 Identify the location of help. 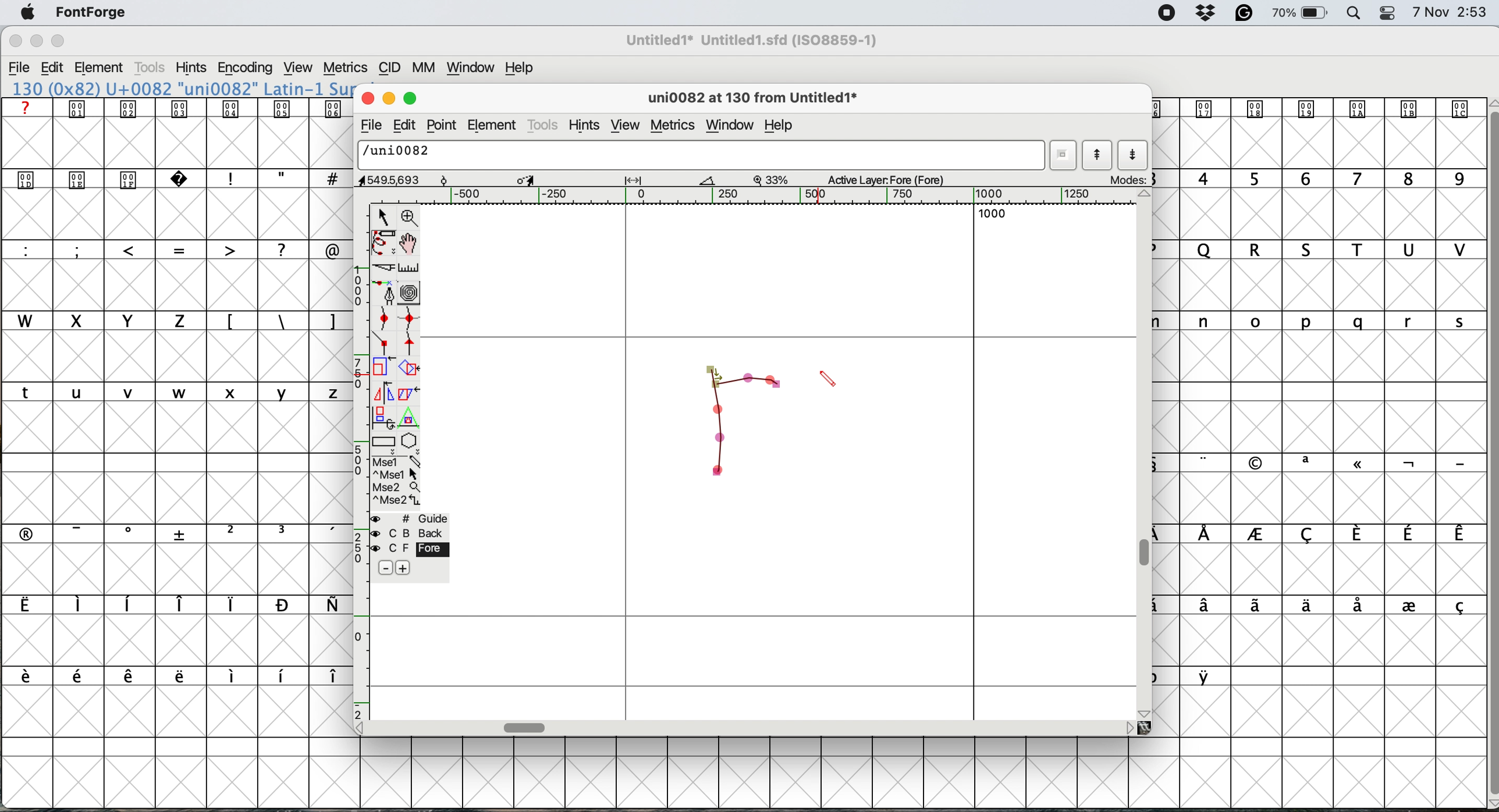
(784, 126).